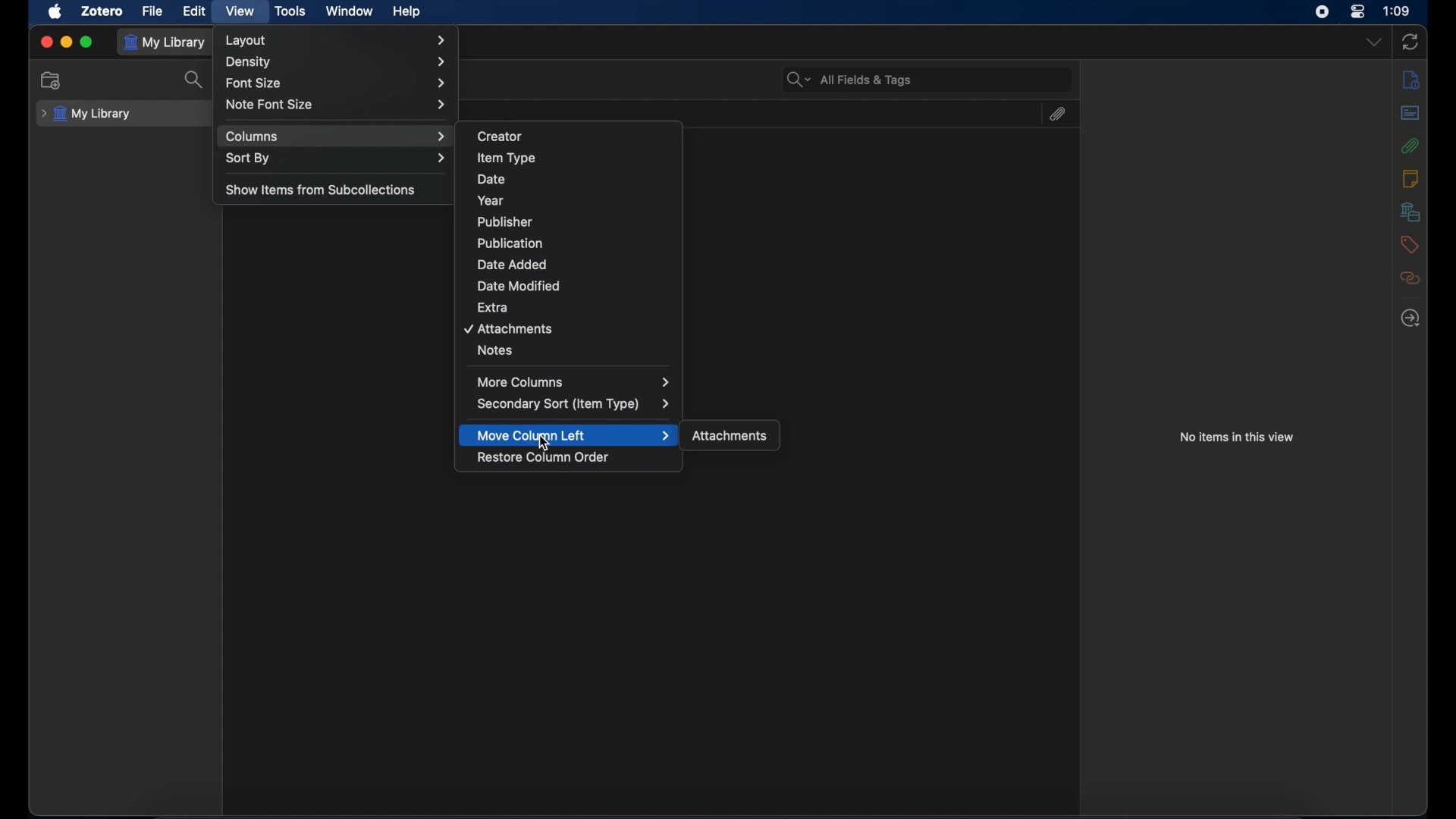 This screenshot has height=819, width=1456. Describe the element at coordinates (1410, 212) in the screenshot. I see `libraries` at that location.